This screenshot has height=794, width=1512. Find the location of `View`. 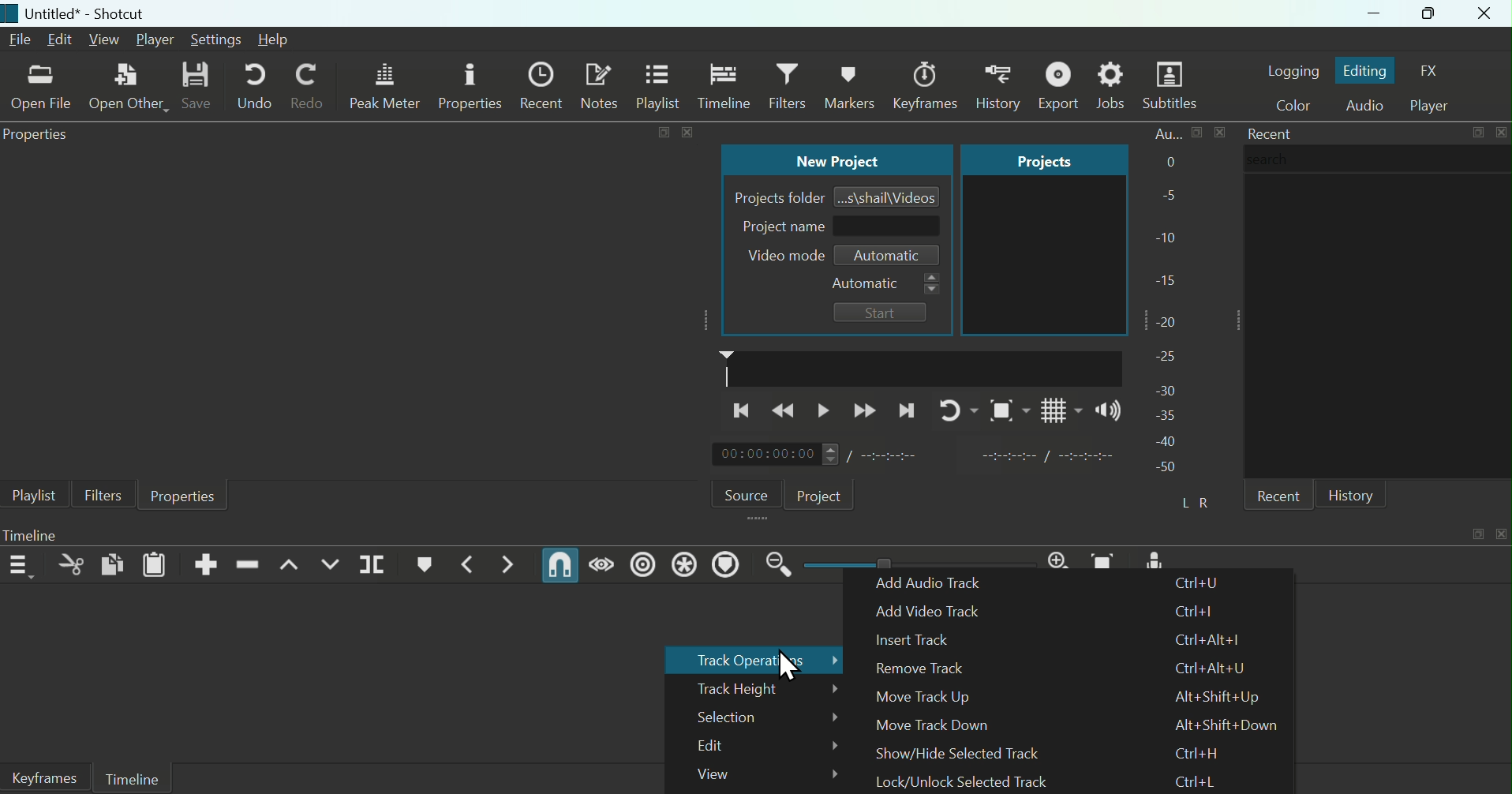

View is located at coordinates (106, 40).